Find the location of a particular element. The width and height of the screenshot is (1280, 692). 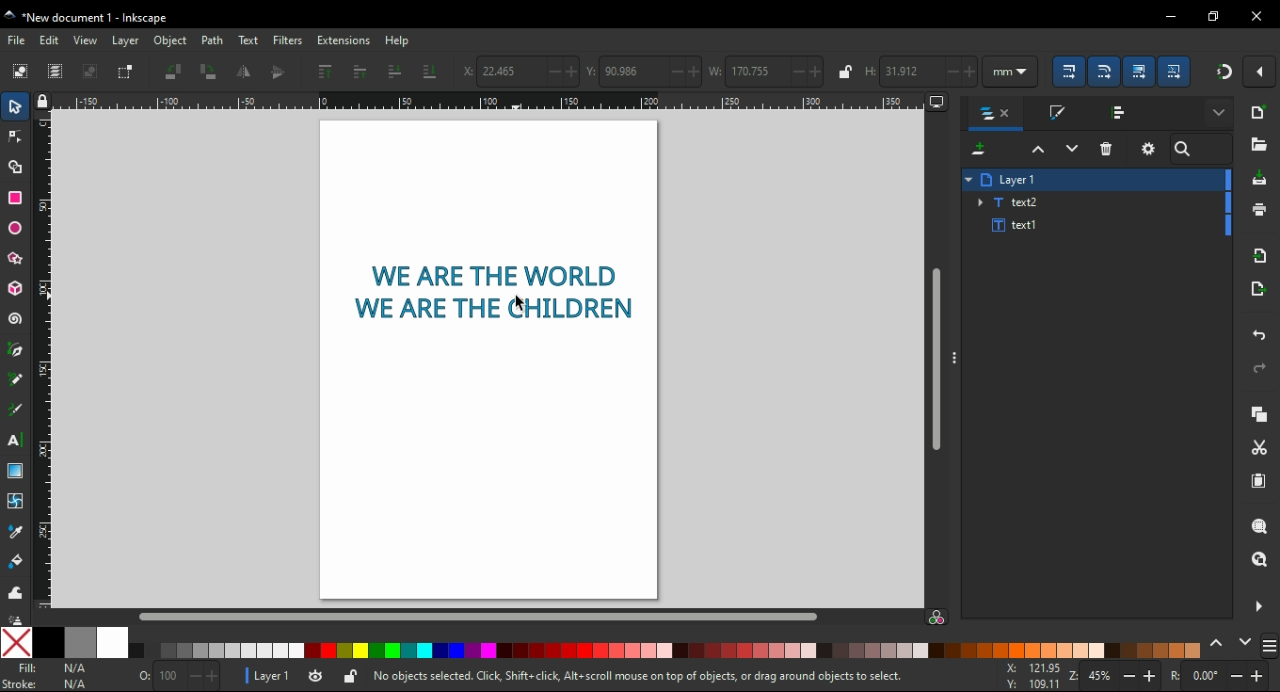

file is located at coordinates (16, 39).